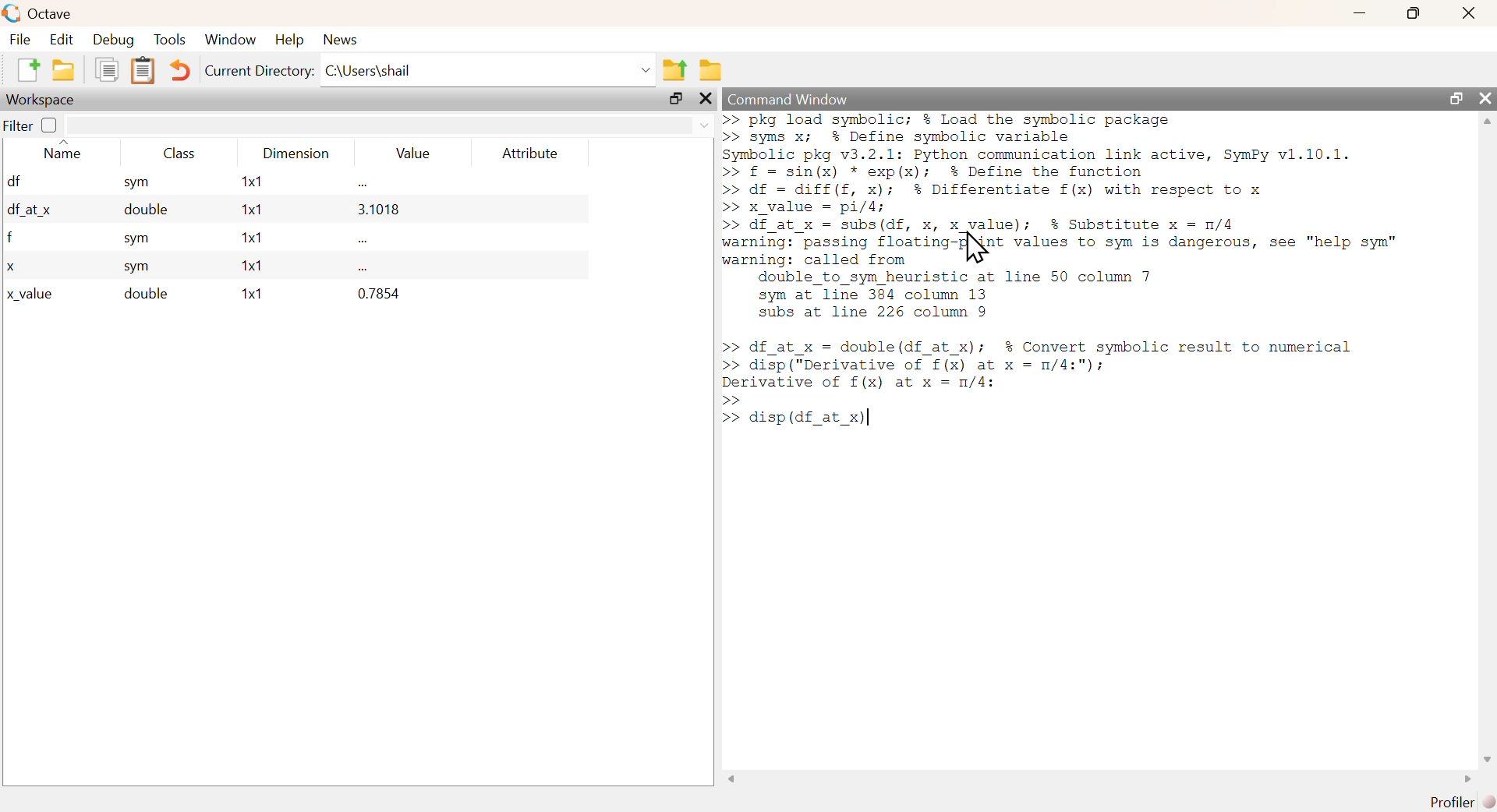  What do you see at coordinates (379, 210) in the screenshot?
I see `3.1018` at bounding box center [379, 210].